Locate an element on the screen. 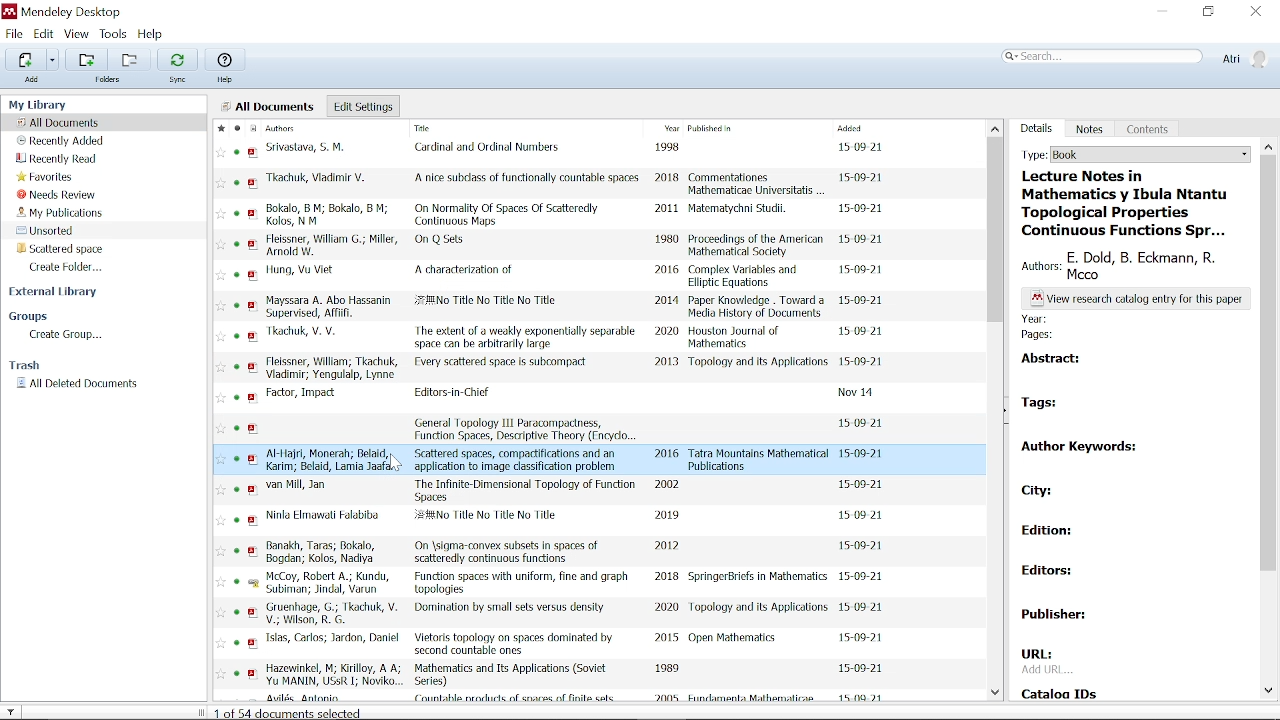 The image size is (1280, 720). 2020 is located at coordinates (666, 332).